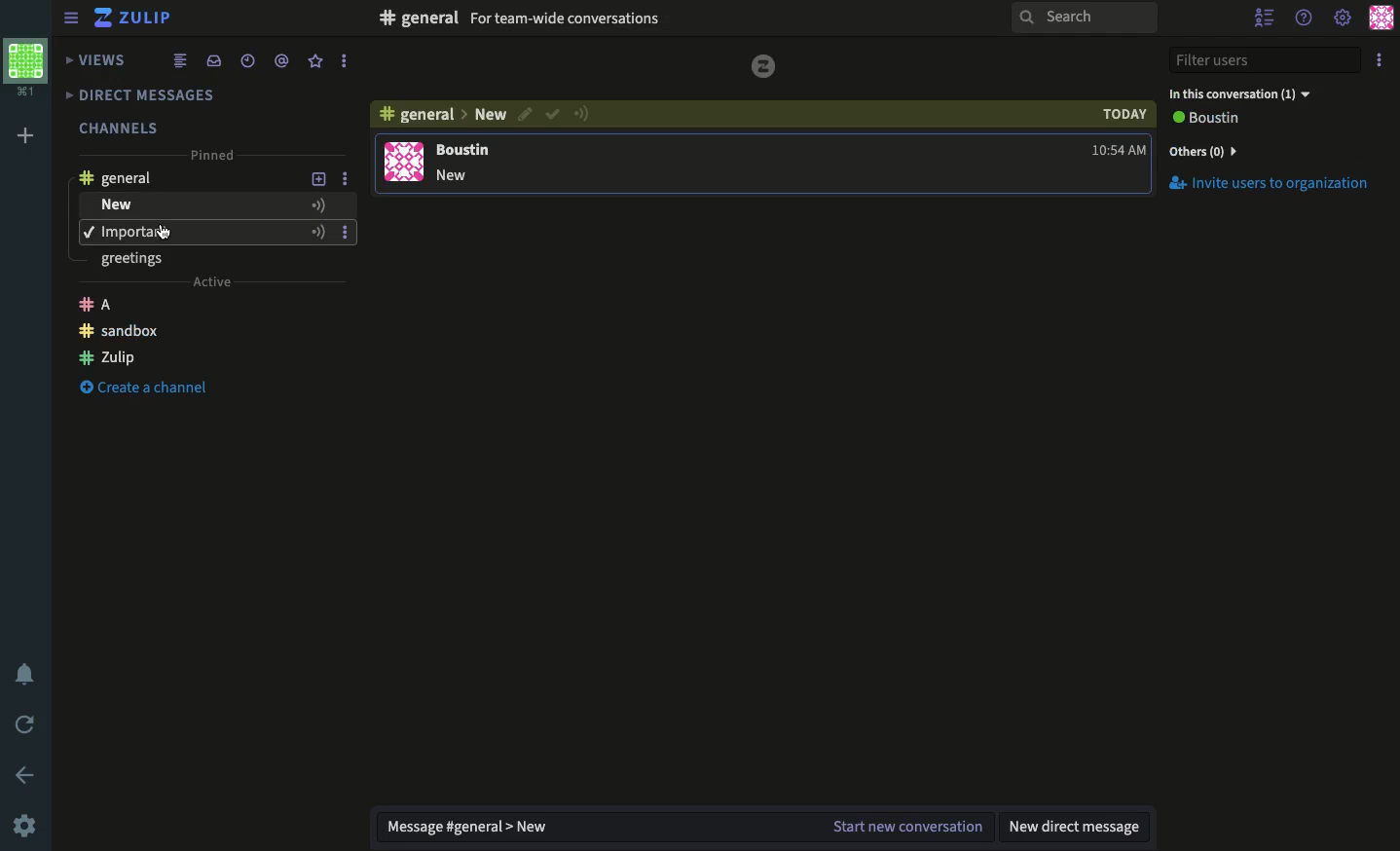 The height and width of the screenshot is (851, 1400). What do you see at coordinates (557, 115) in the screenshot?
I see `Resolved` at bounding box center [557, 115].